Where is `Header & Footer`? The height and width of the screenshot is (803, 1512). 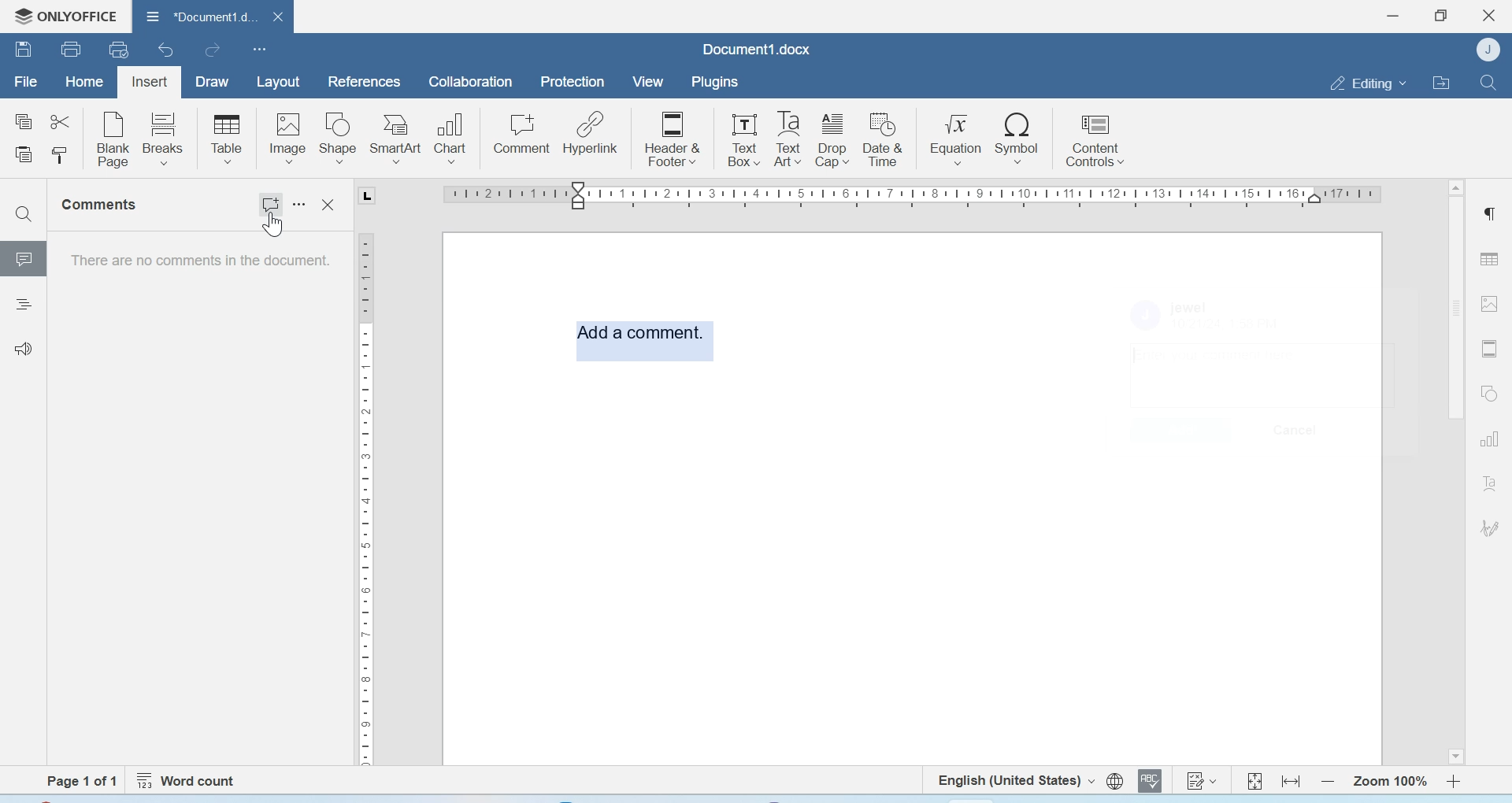
Header & Footer is located at coordinates (673, 137).